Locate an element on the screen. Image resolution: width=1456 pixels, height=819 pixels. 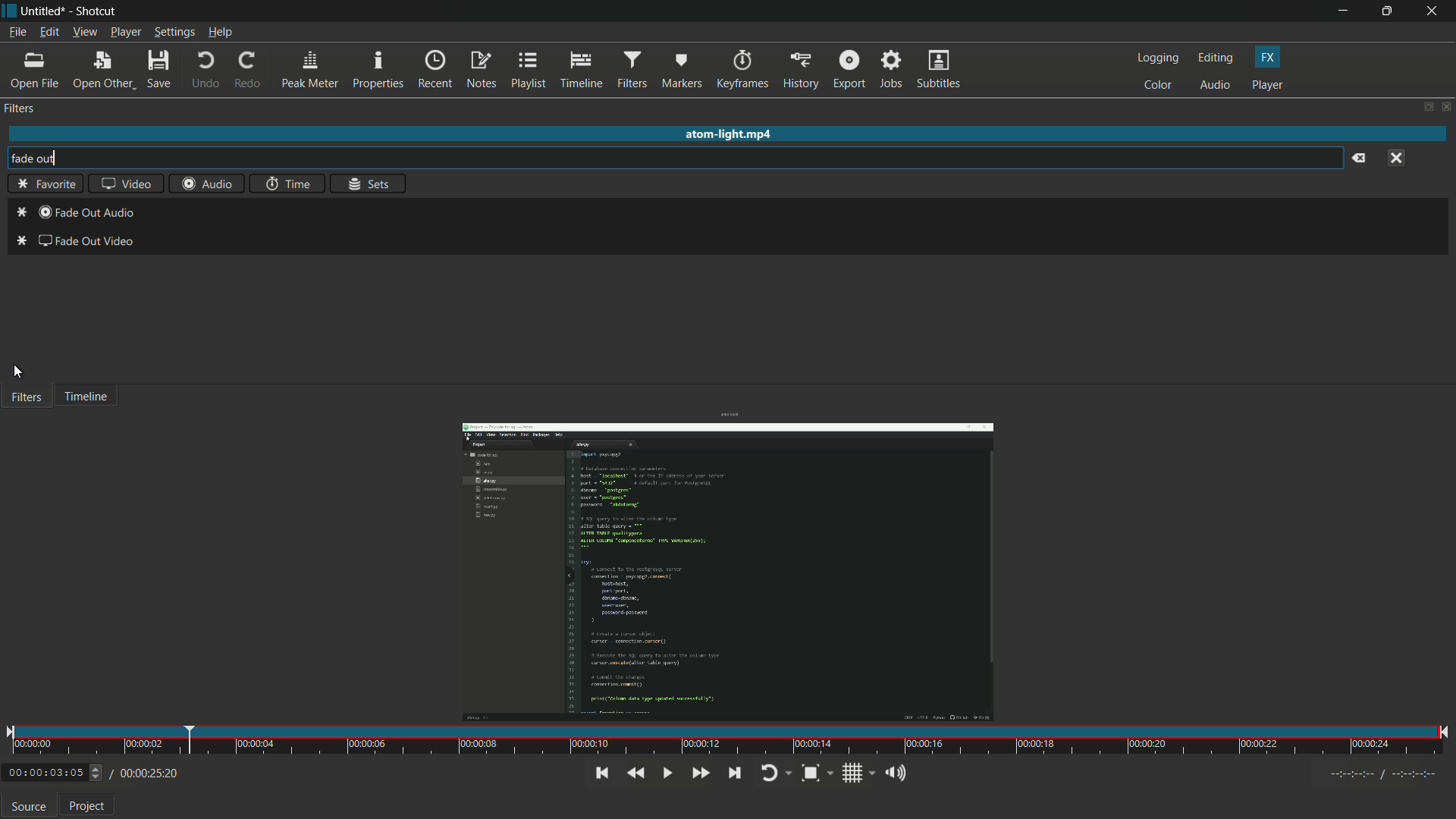
video is located at coordinates (122, 186).